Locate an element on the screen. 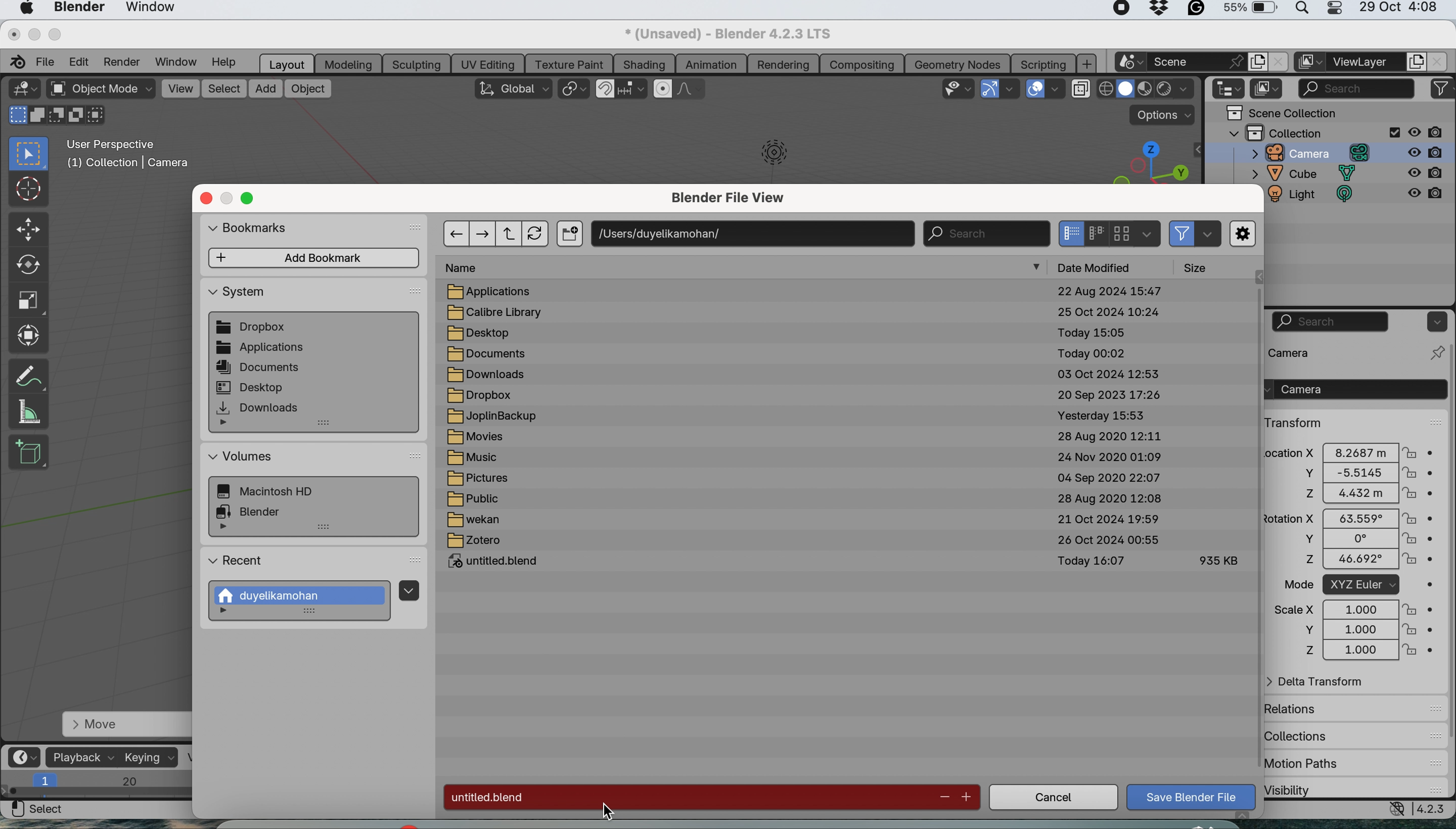 The image size is (1456, 829). object is located at coordinates (308, 89).